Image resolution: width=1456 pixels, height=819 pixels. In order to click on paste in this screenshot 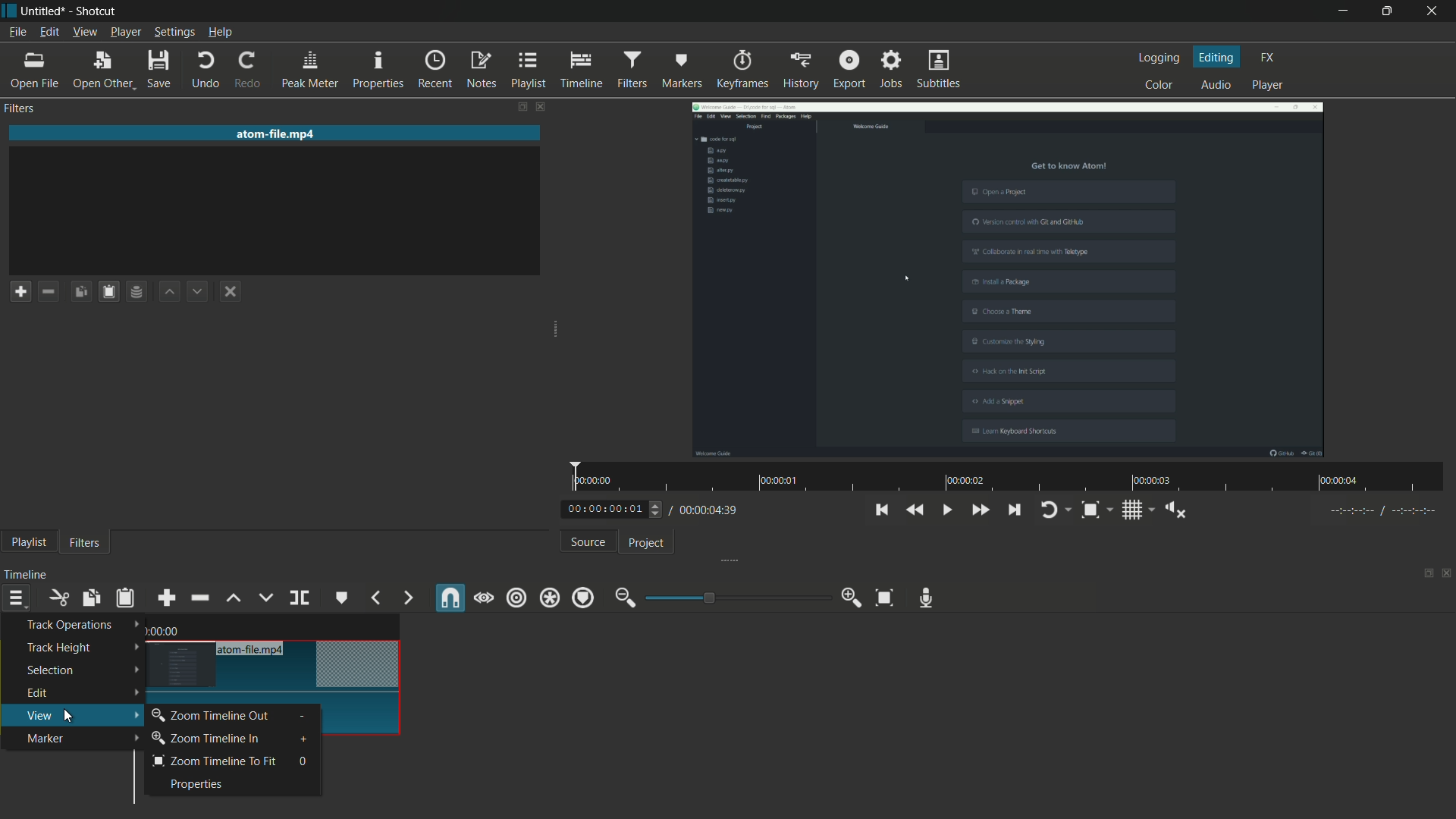, I will do `click(125, 598)`.